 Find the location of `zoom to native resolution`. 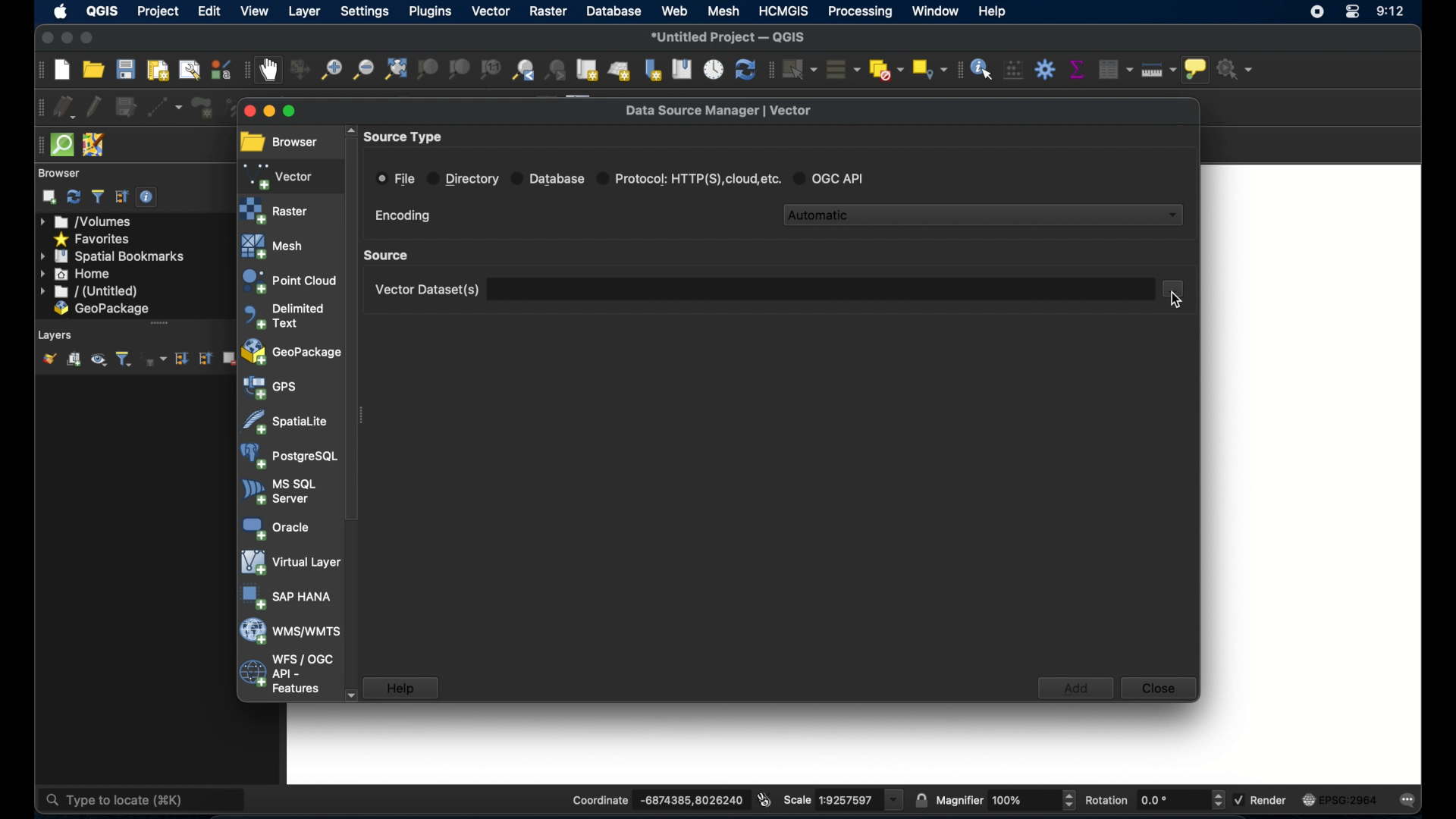

zoom to native resolution is located at coordinates (490, 69).